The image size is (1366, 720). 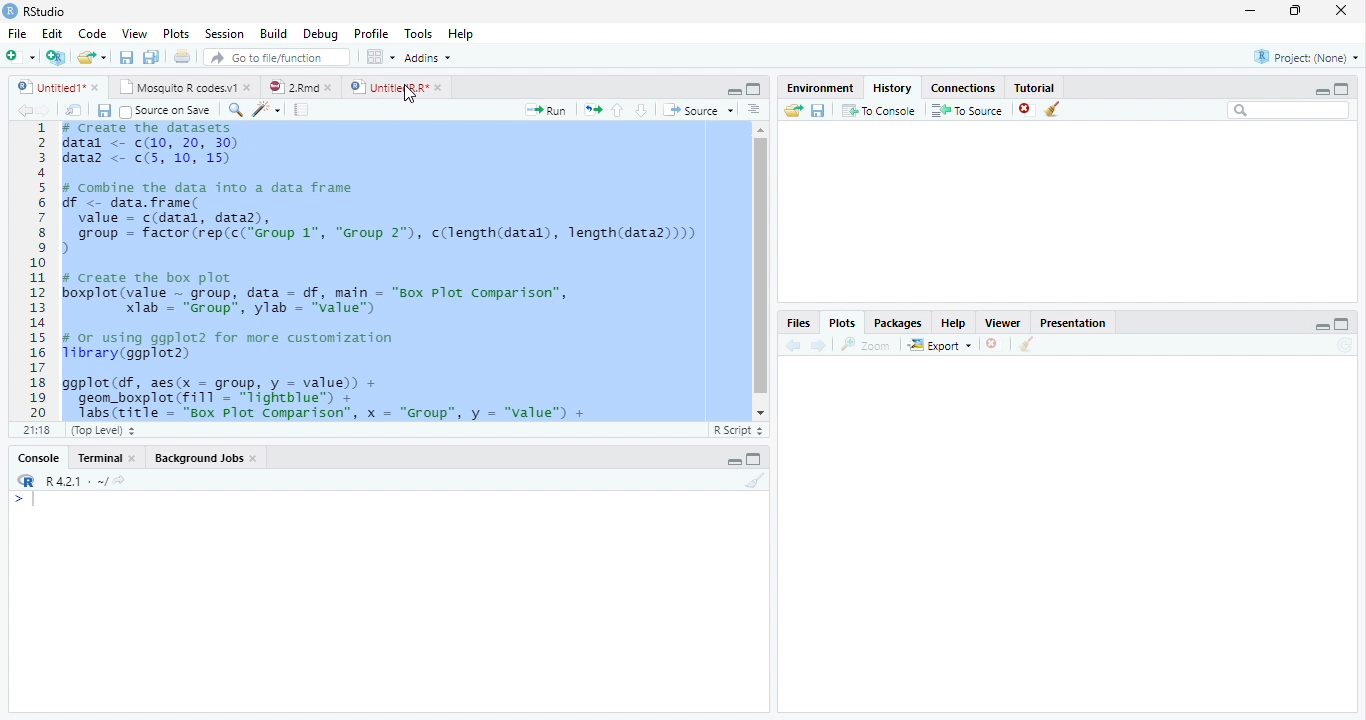 I want to click on Compile Report, so click(x=302, y=109).